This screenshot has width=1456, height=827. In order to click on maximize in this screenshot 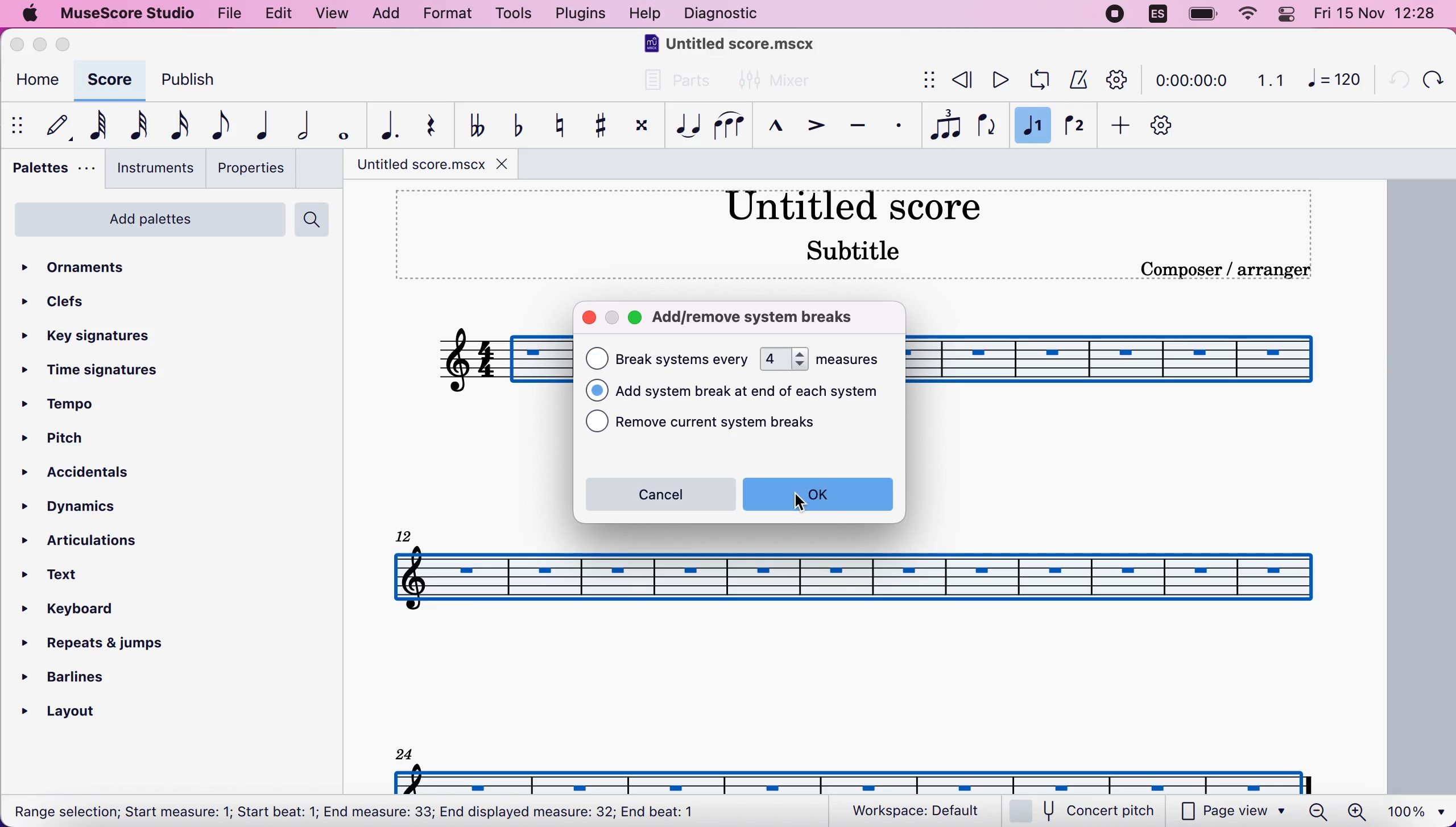, I will do `click(67, 44)`.